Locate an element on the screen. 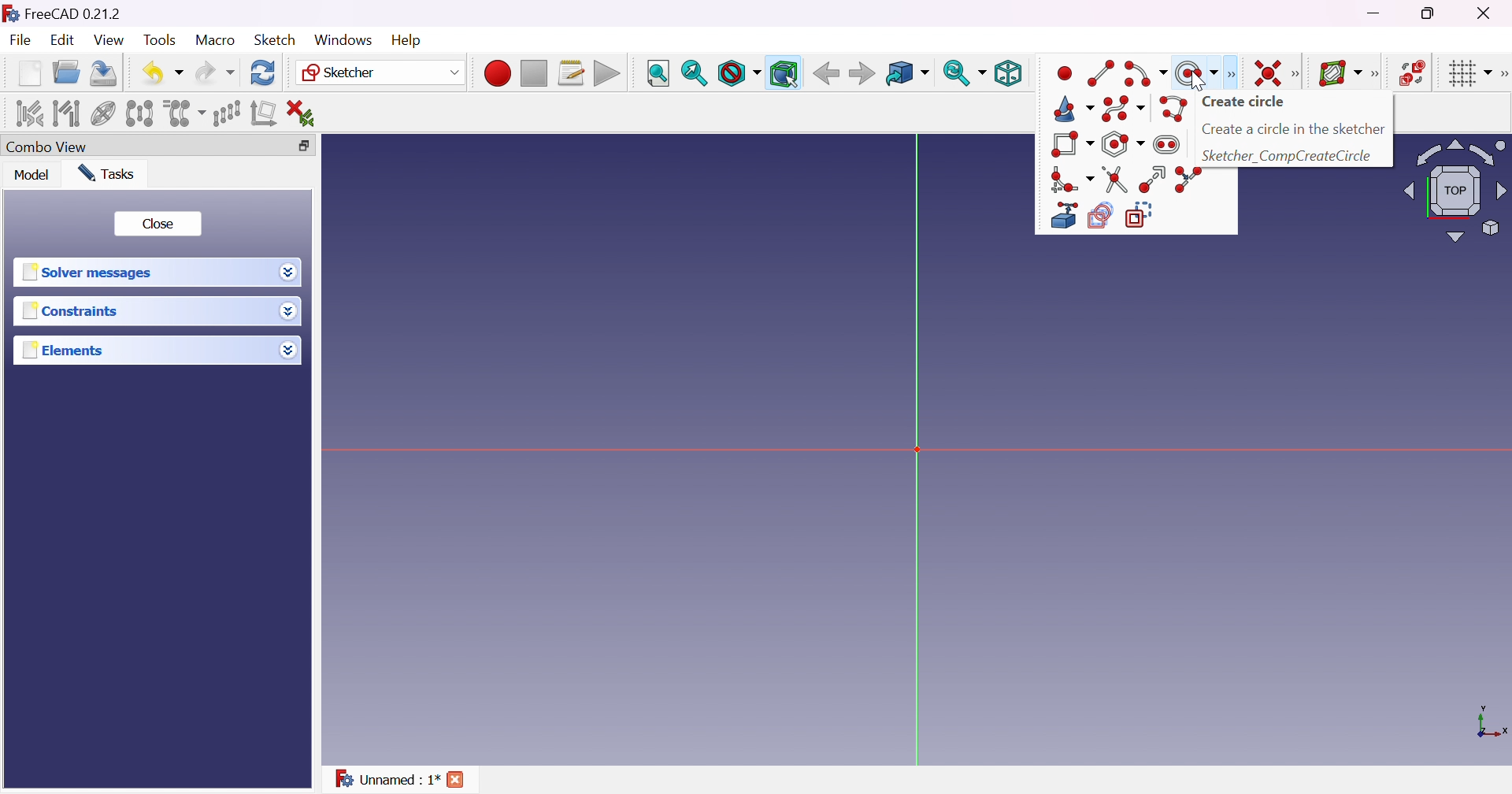 The height and width of the screenshot is (794, 1512). Create arc is located at coordinates (1147, 74).